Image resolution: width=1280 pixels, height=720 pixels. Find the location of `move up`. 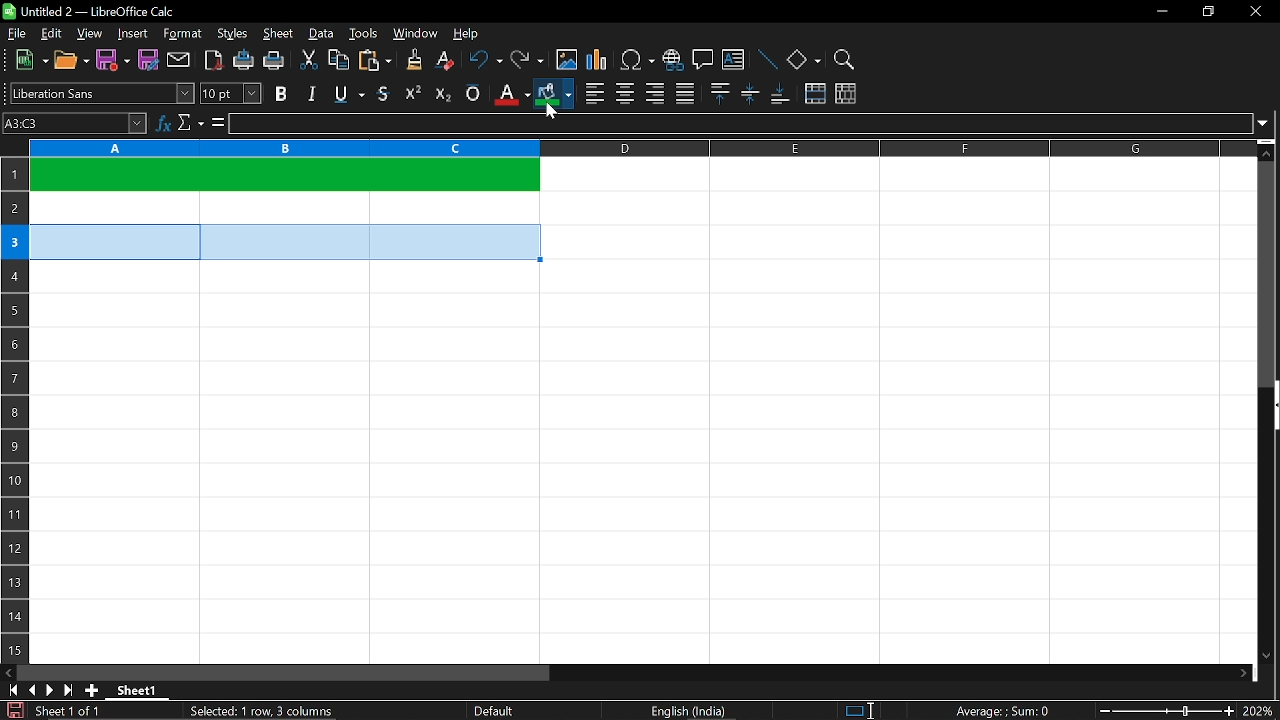

move up is located at coordinates (1269, 151).